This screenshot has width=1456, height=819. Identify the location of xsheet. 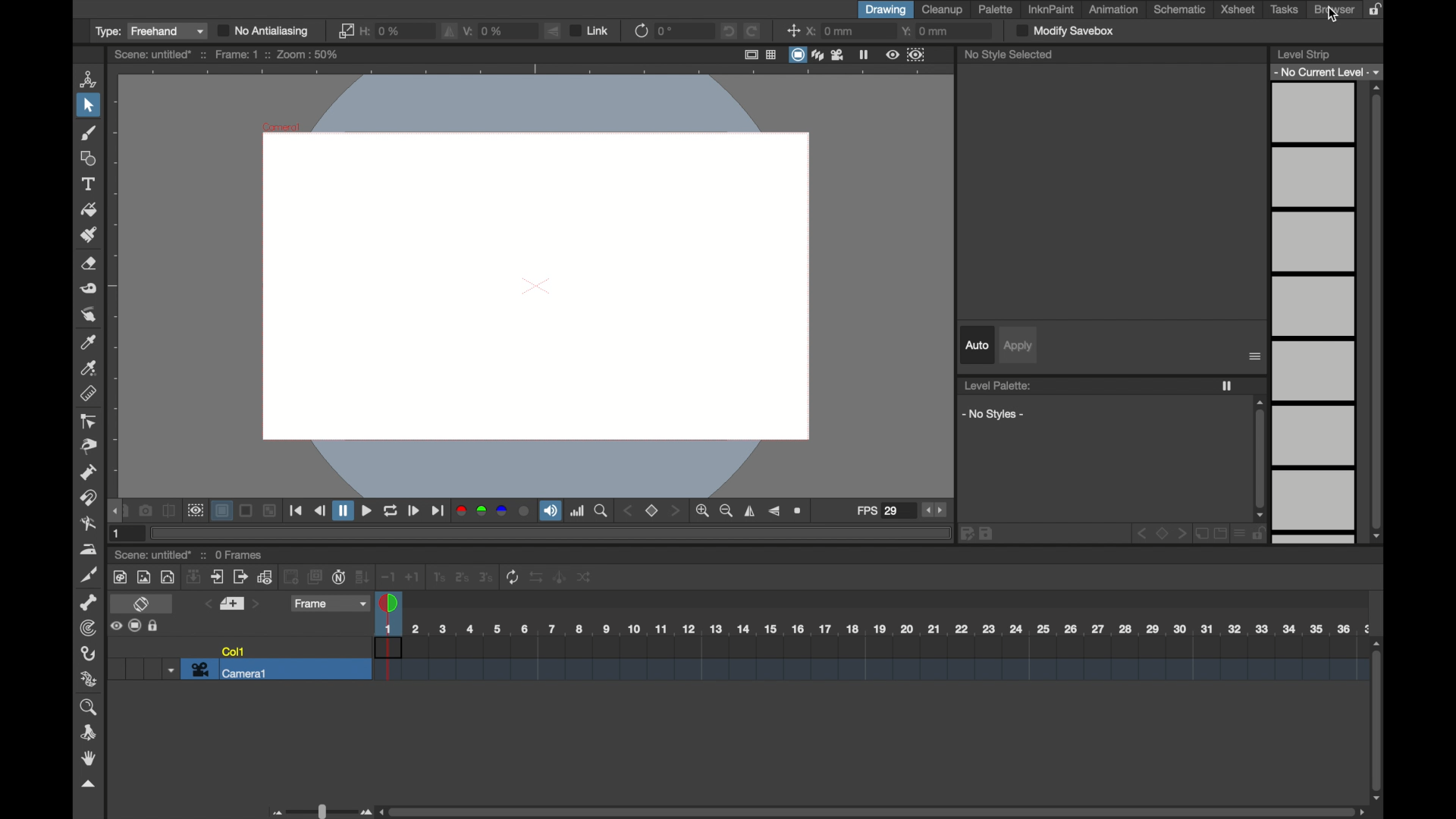
(1238, 10).